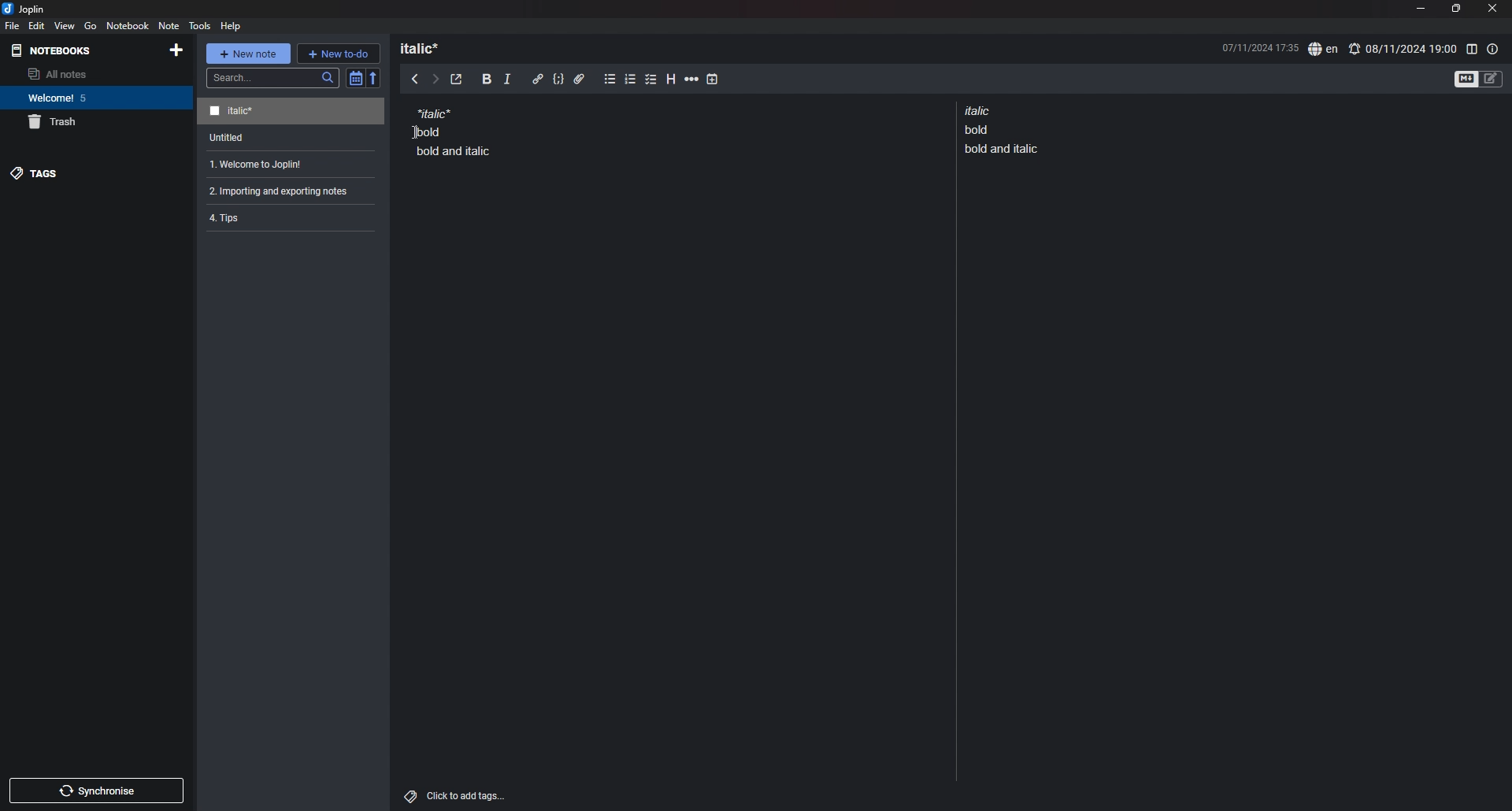 The height and width of the screenshot is (811, 1512). I want to click on next, so click(435, 80).